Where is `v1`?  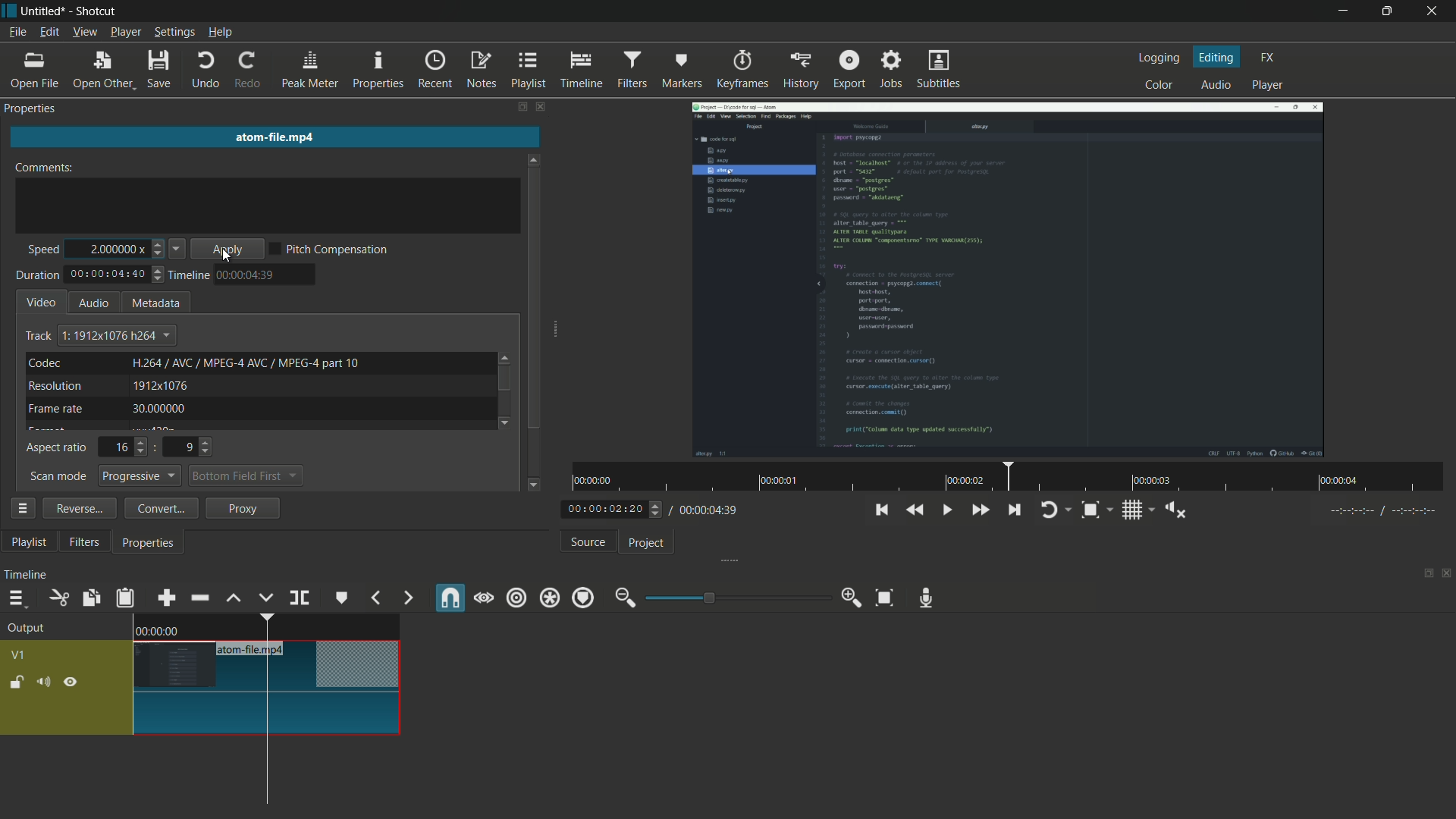 v1 is located at coordinates (17, 657).